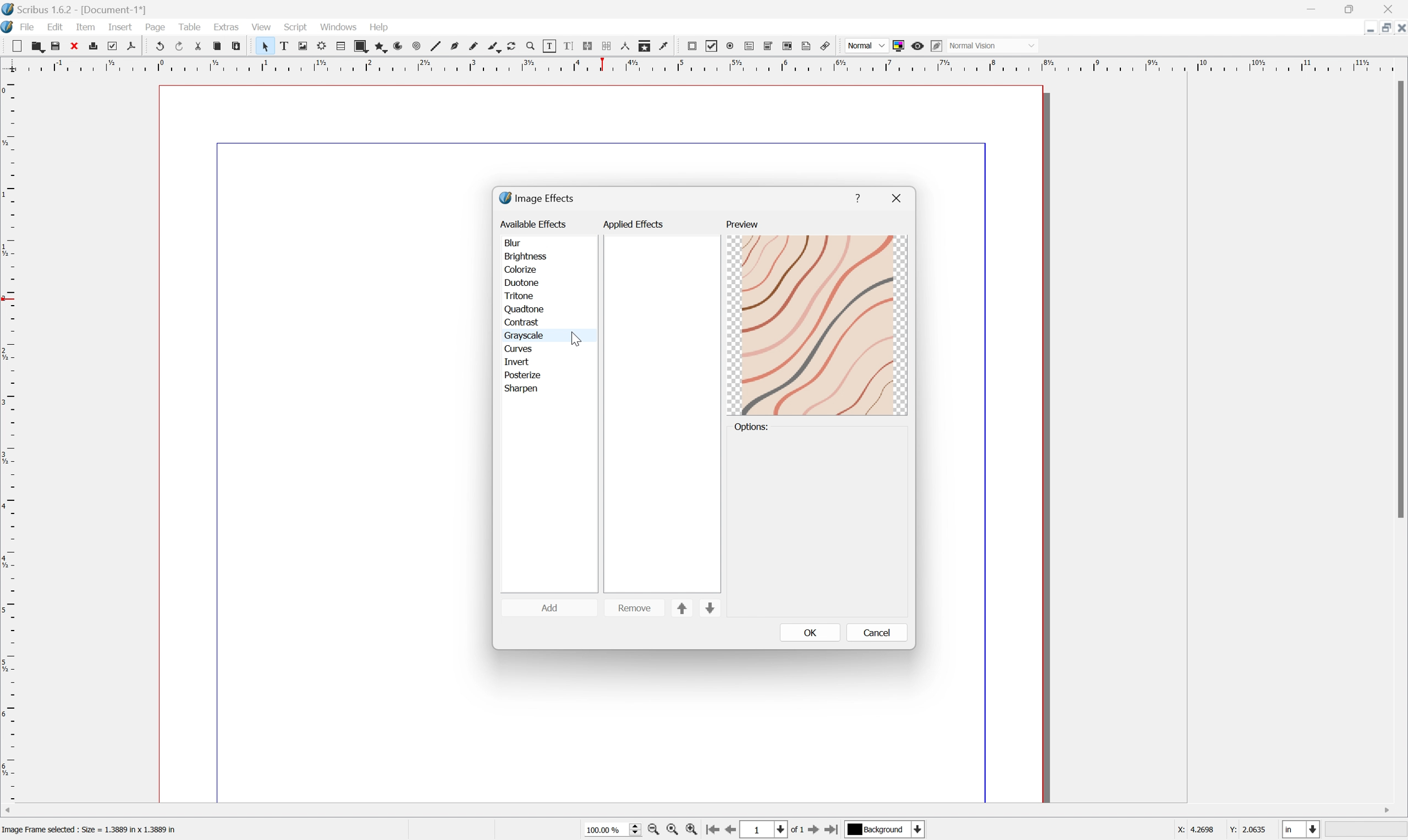 The height and width of the screenshot is (840, 1408). I want to click on add, so click(550, 607).